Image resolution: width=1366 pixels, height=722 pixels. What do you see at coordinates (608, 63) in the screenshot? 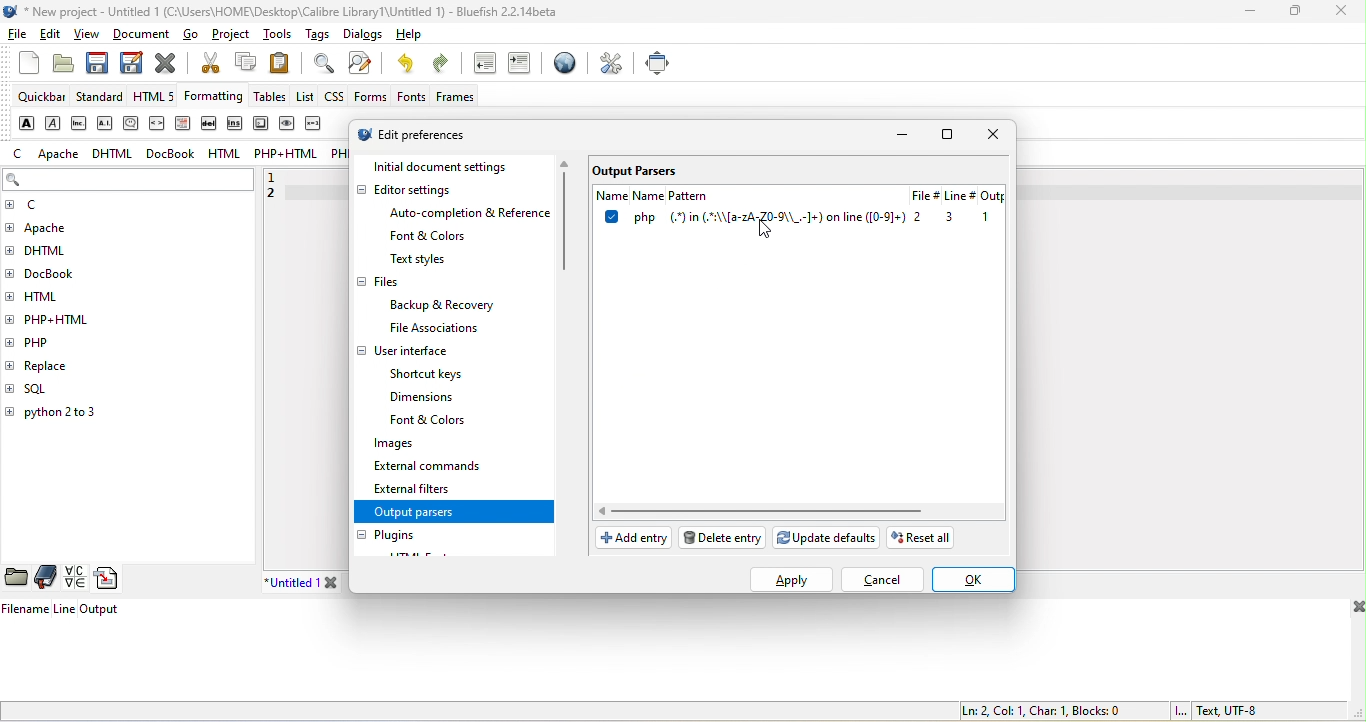
I see `preferences` at bounding box center [608, 63].